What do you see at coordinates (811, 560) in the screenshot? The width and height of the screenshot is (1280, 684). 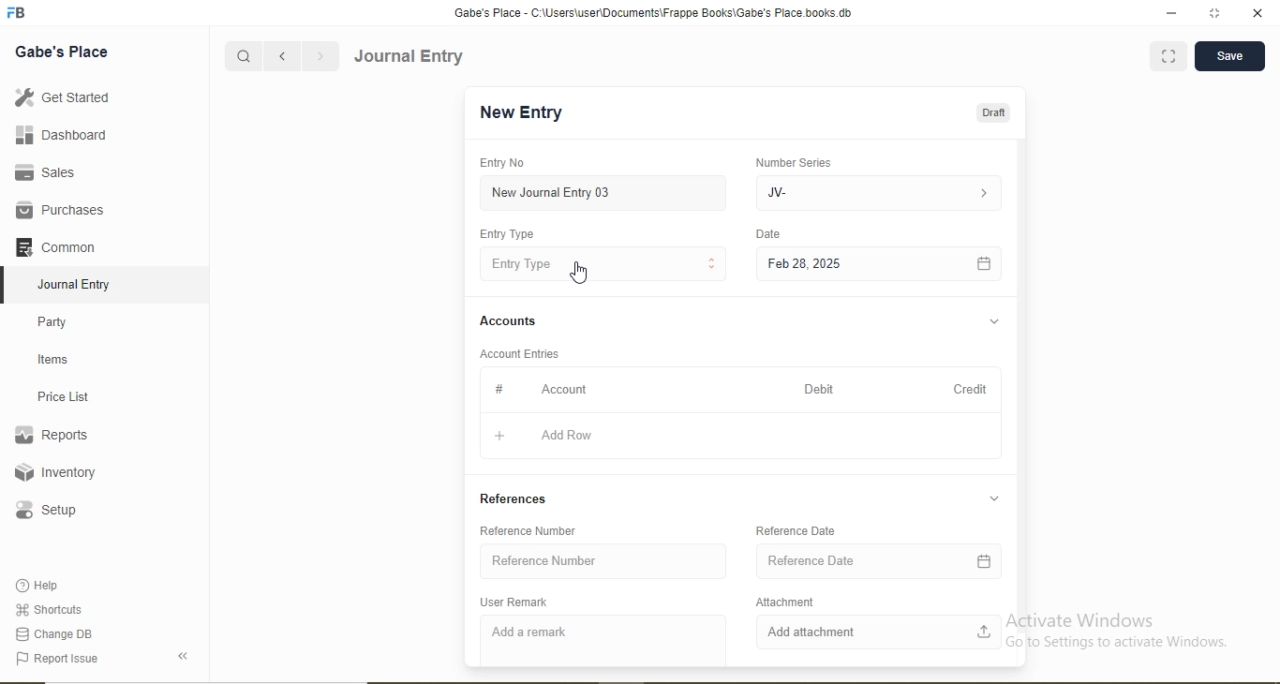 I see `Reference Date` at bounding box center [811, 560].